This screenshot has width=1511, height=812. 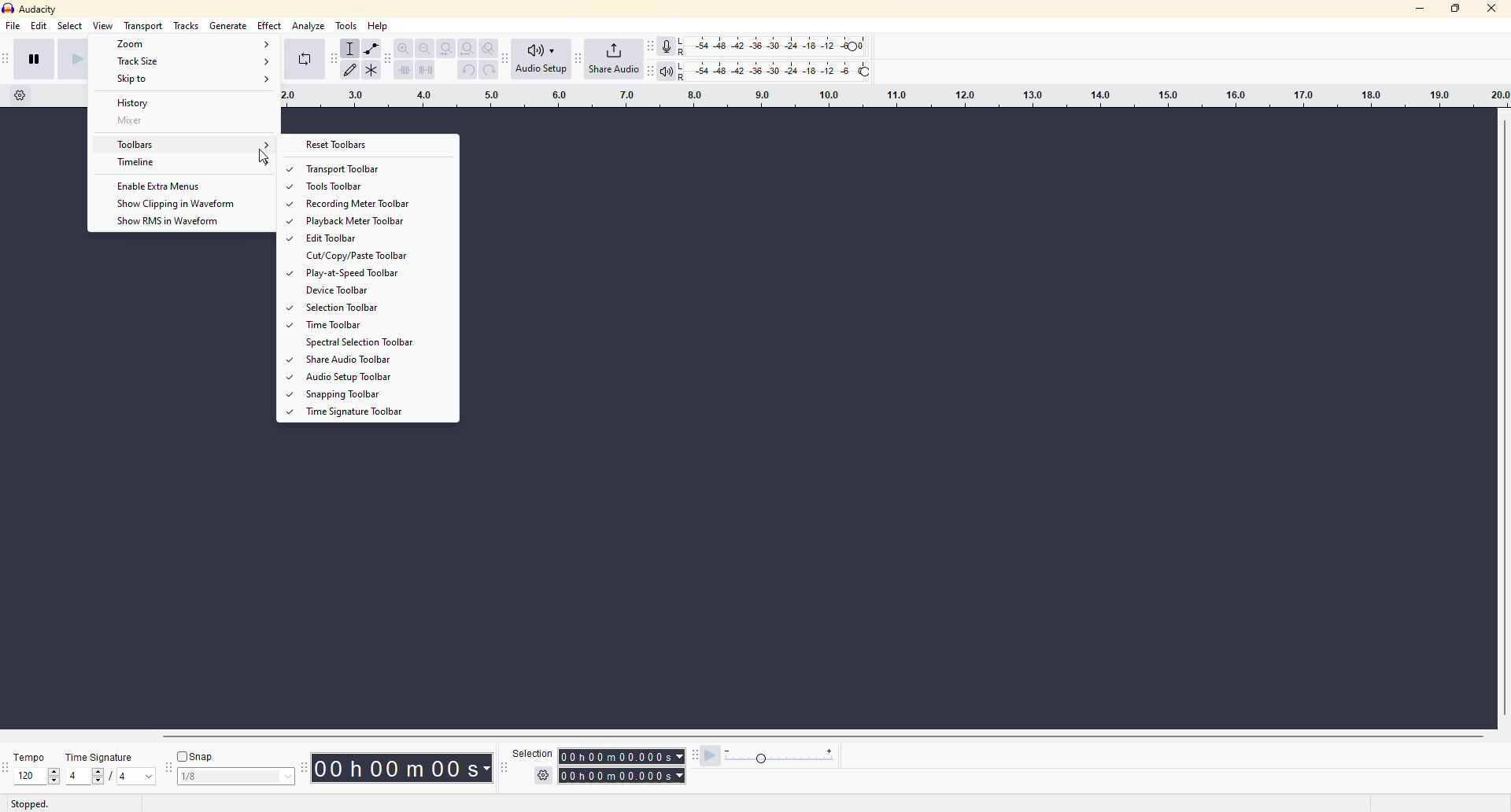 What do you see at coordinates (187, 27) in the screenshot?
I see `tracks` at bounding box center [187, 27].